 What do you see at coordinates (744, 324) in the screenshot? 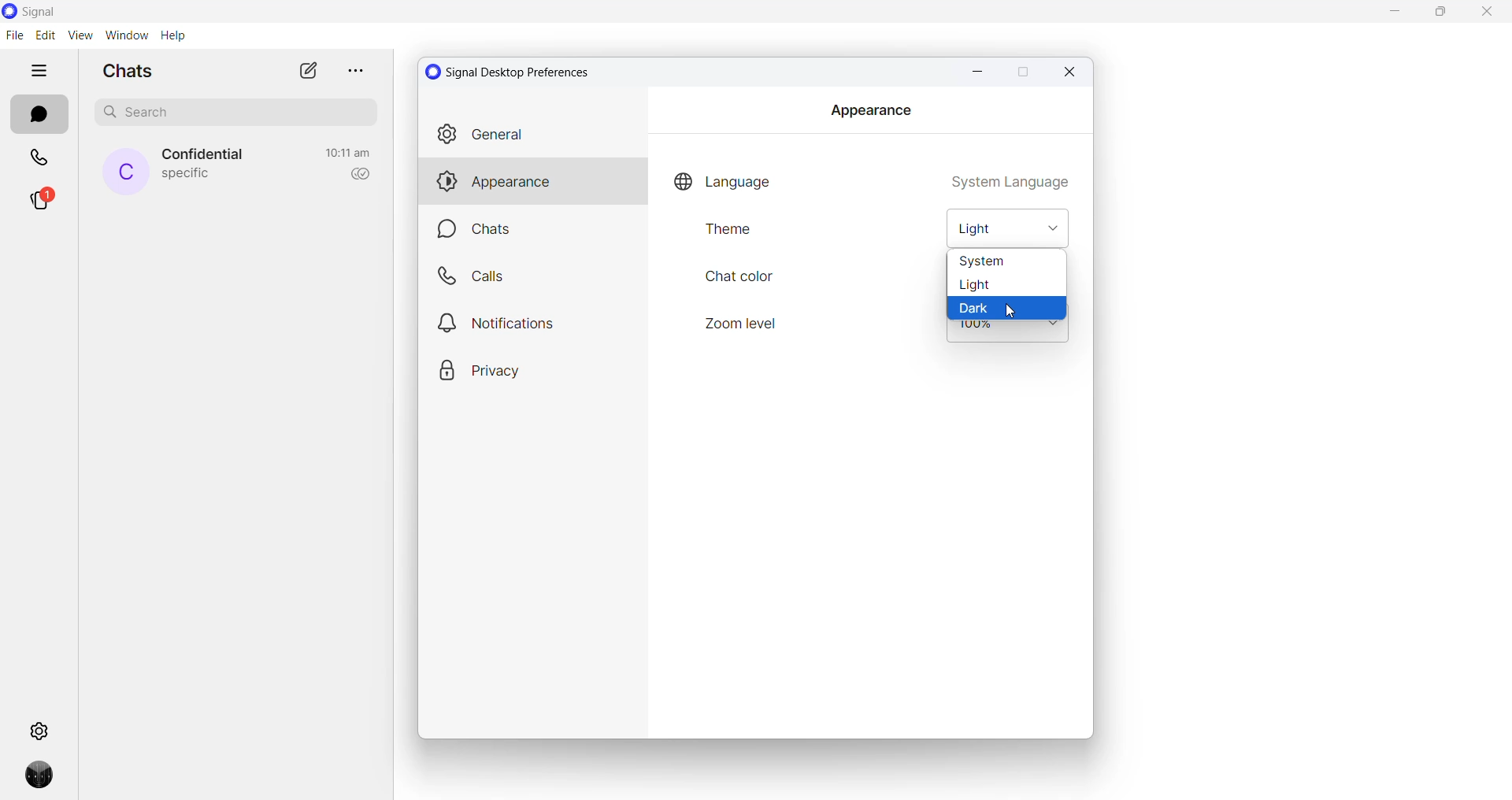
I see `zoom level` at bounding box center [744, 324].